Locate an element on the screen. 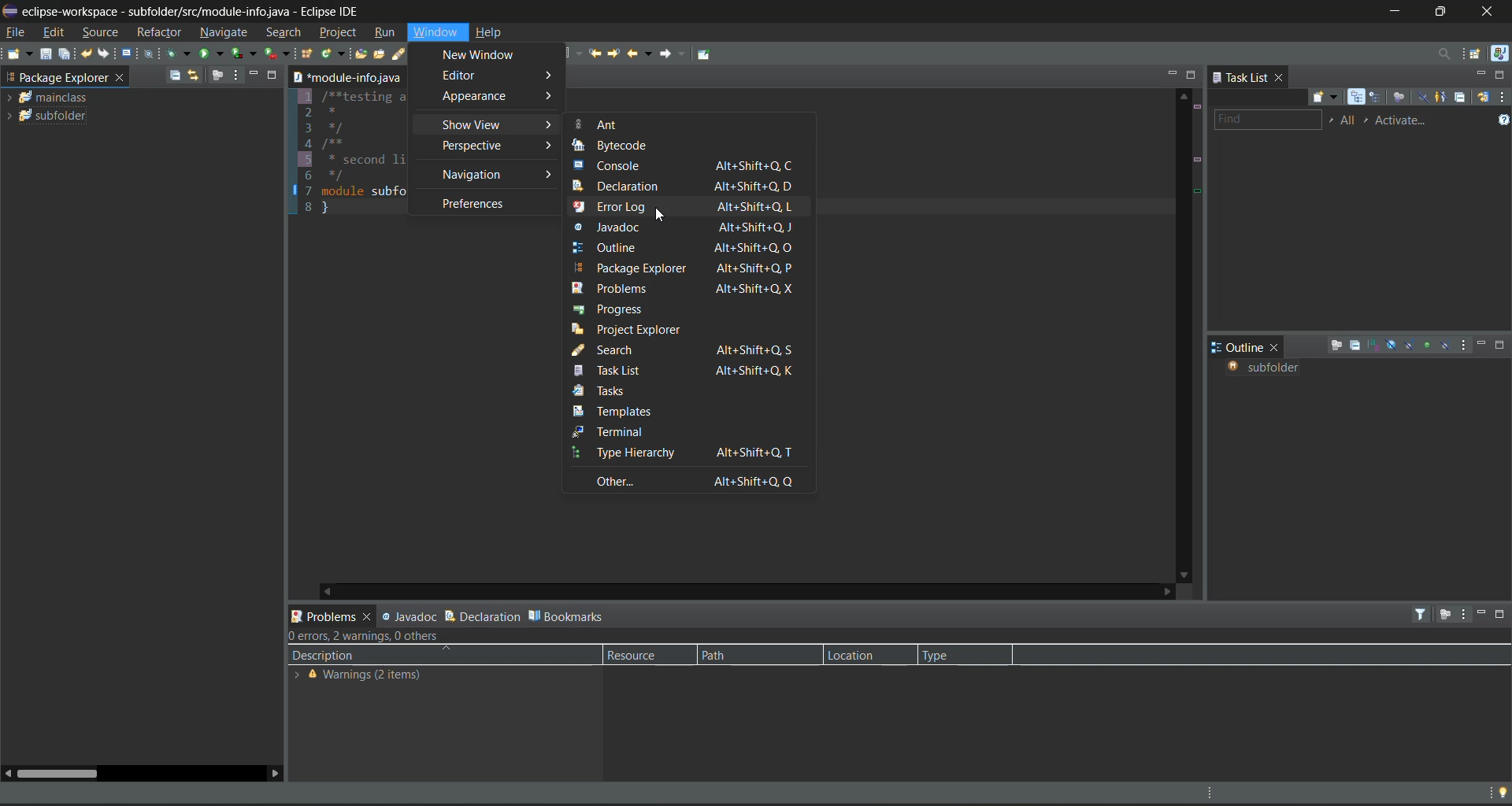 This screenshot has width=1512, height=806. tasks is located at coordinates (616, 393).